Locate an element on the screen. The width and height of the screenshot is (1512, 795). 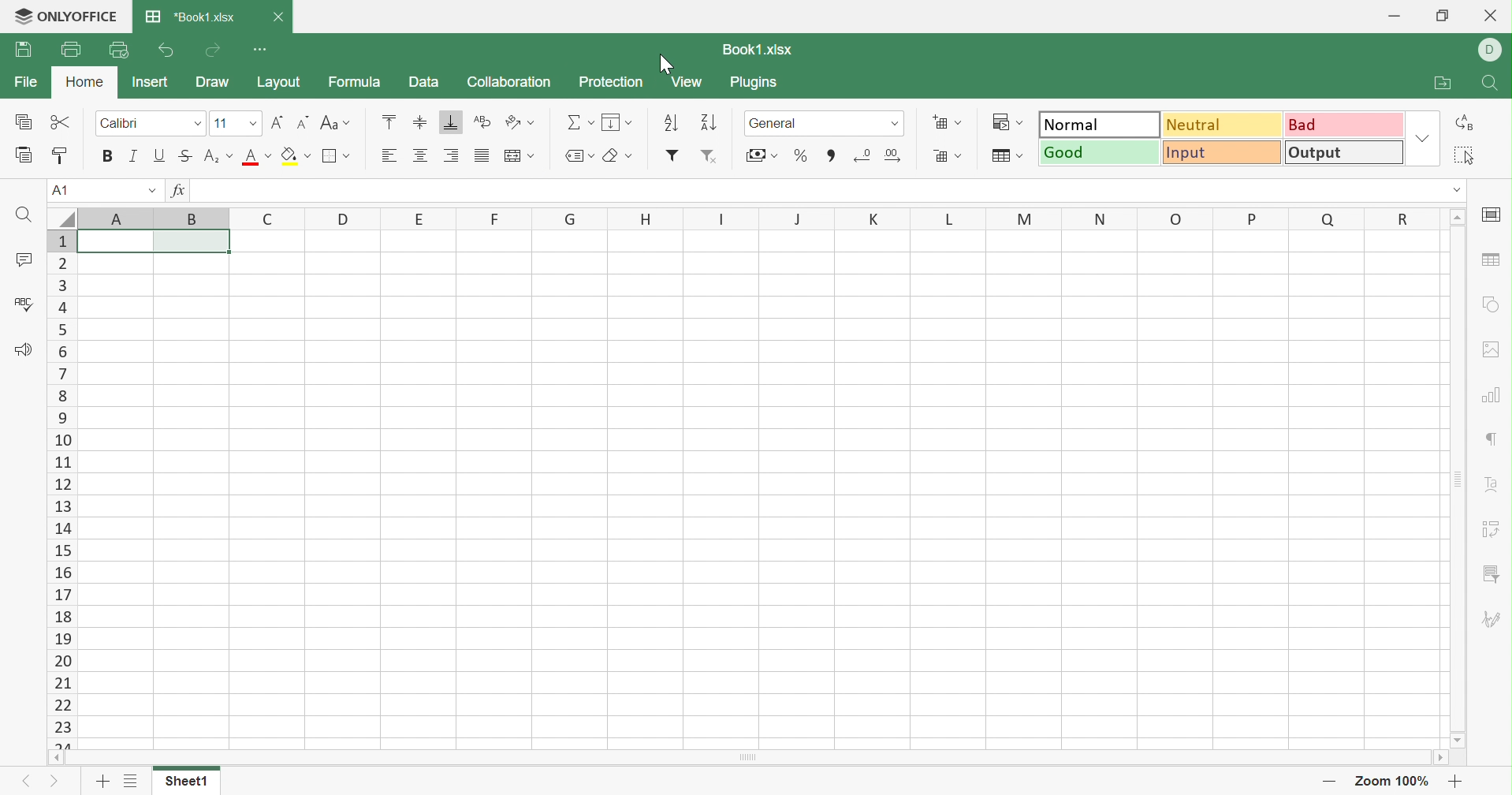
Comma style is located at coordinates (831, 158).